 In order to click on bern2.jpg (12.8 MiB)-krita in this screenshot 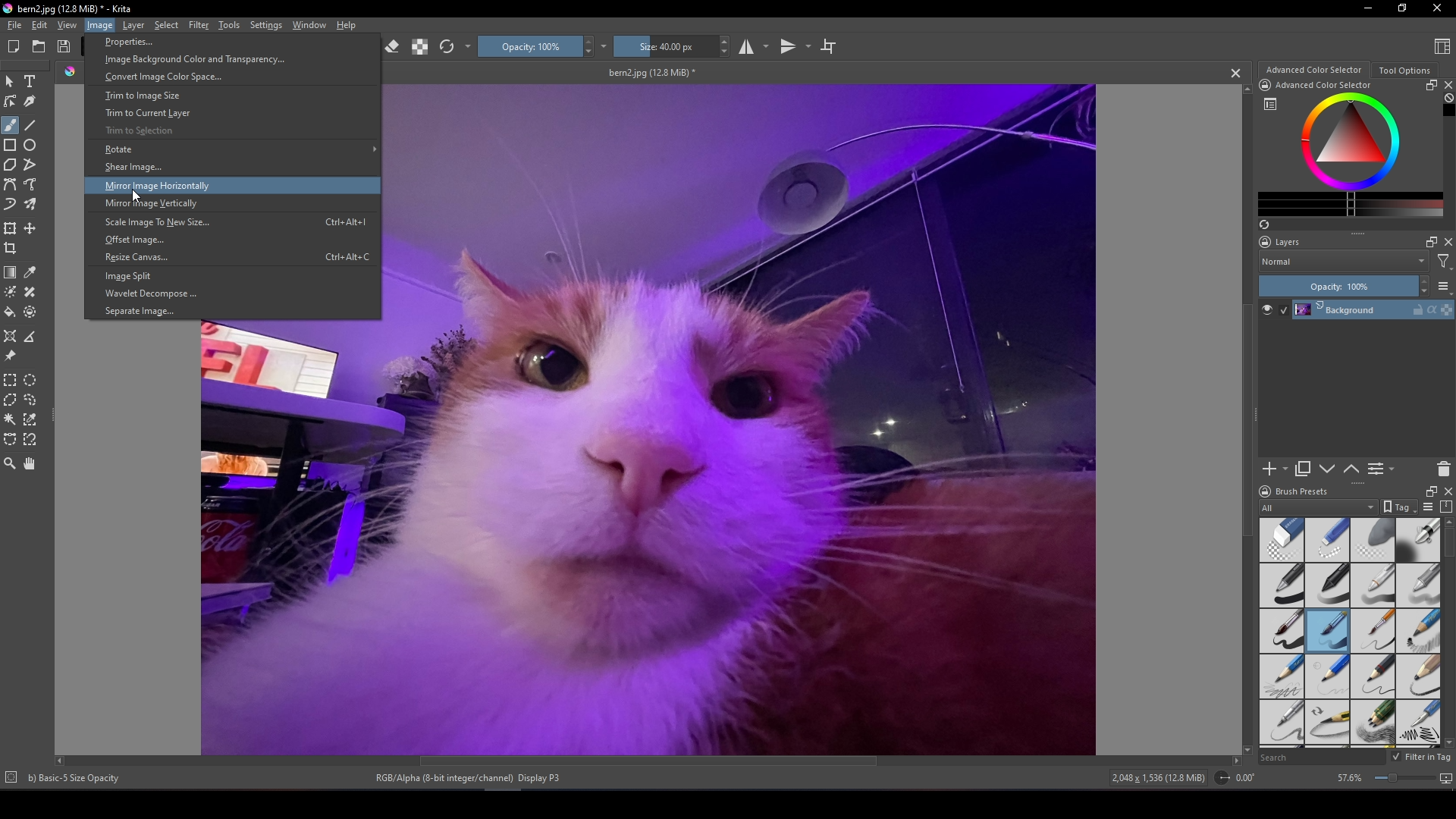, I will do `click(71, 8)`.